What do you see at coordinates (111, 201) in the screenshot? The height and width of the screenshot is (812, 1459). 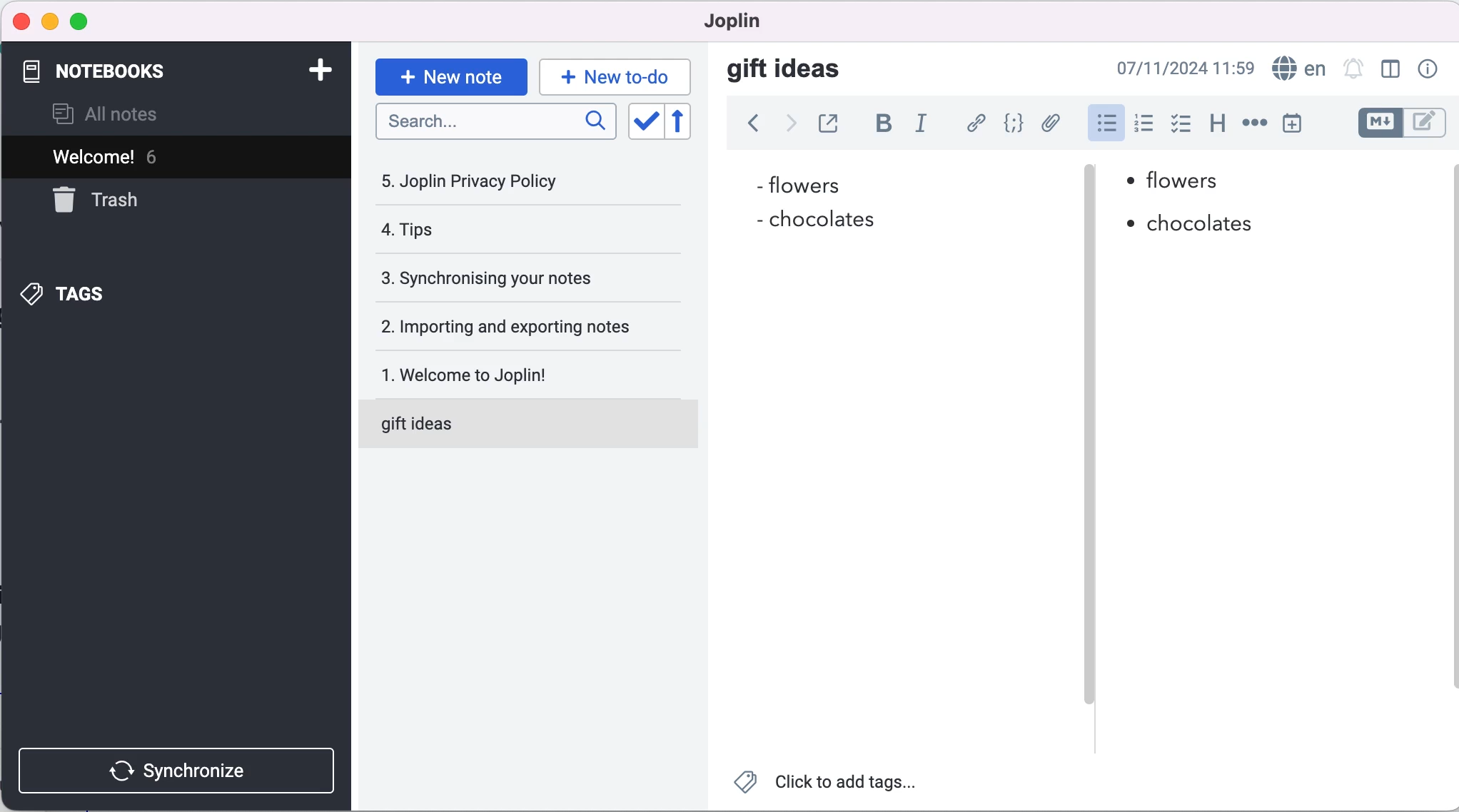 I see `trash` at bounding box center [111, 201].